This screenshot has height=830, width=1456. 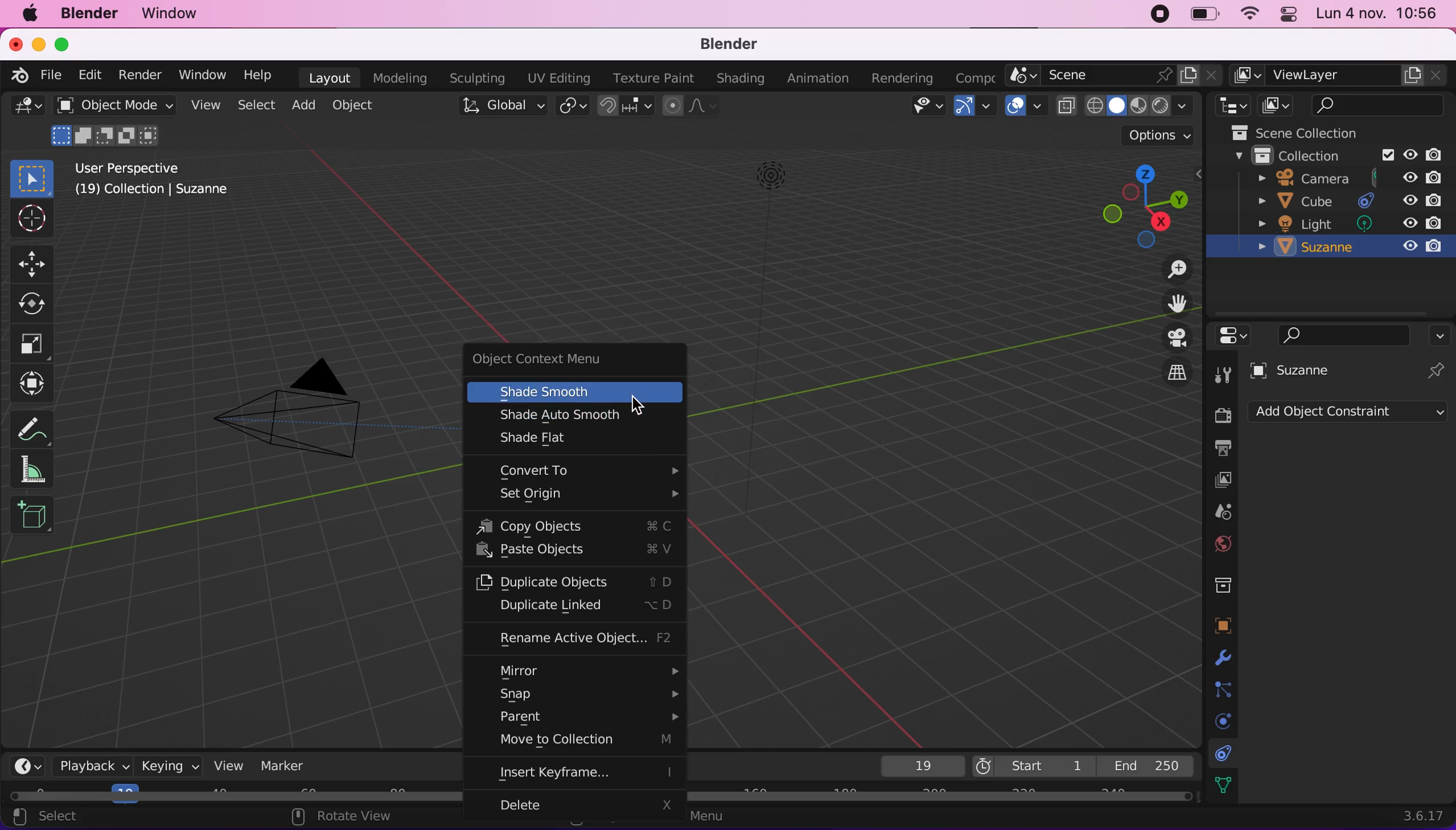 I want to click on options, so click(x=1442, y=335).